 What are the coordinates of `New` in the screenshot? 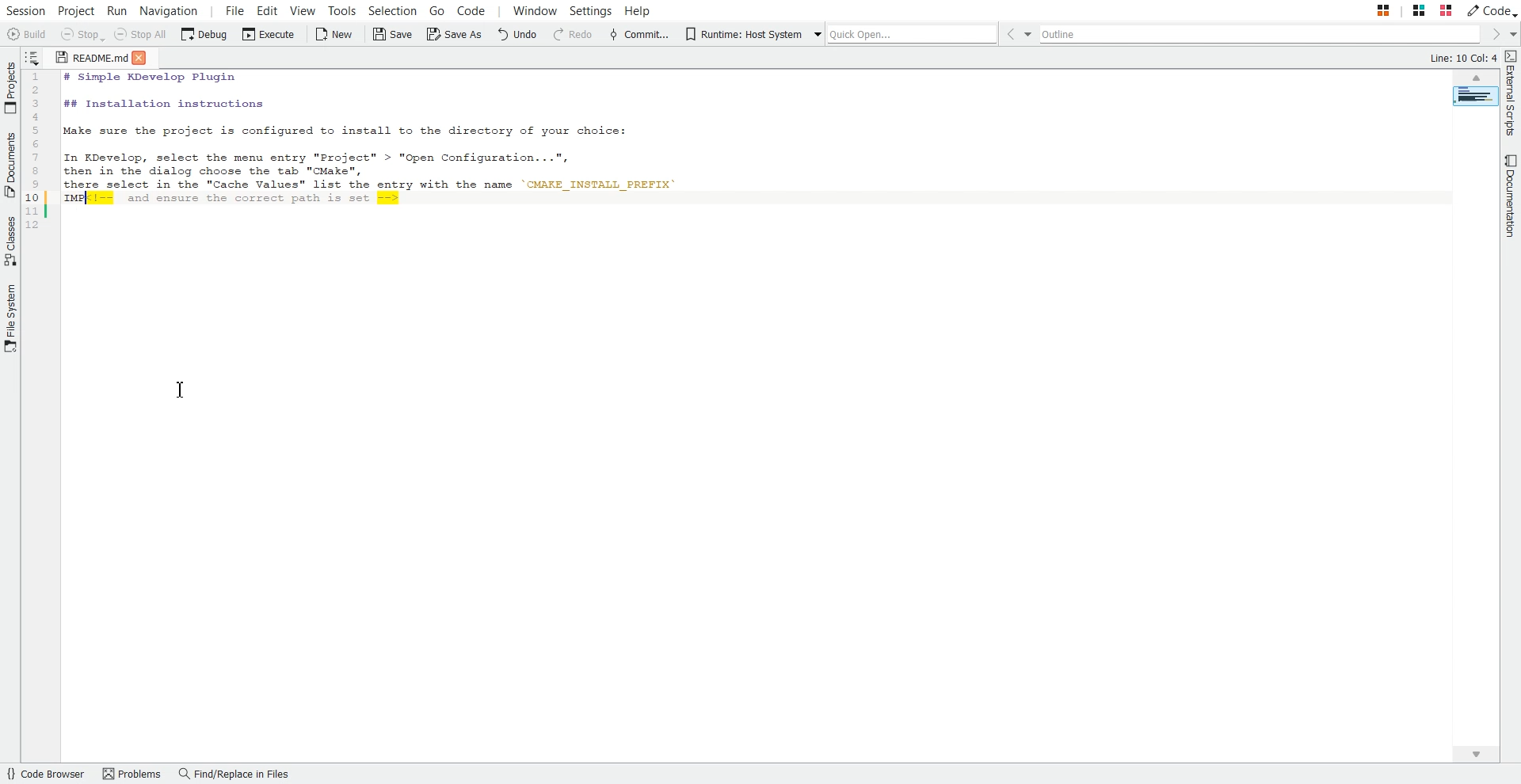 It's located at (336, 35).